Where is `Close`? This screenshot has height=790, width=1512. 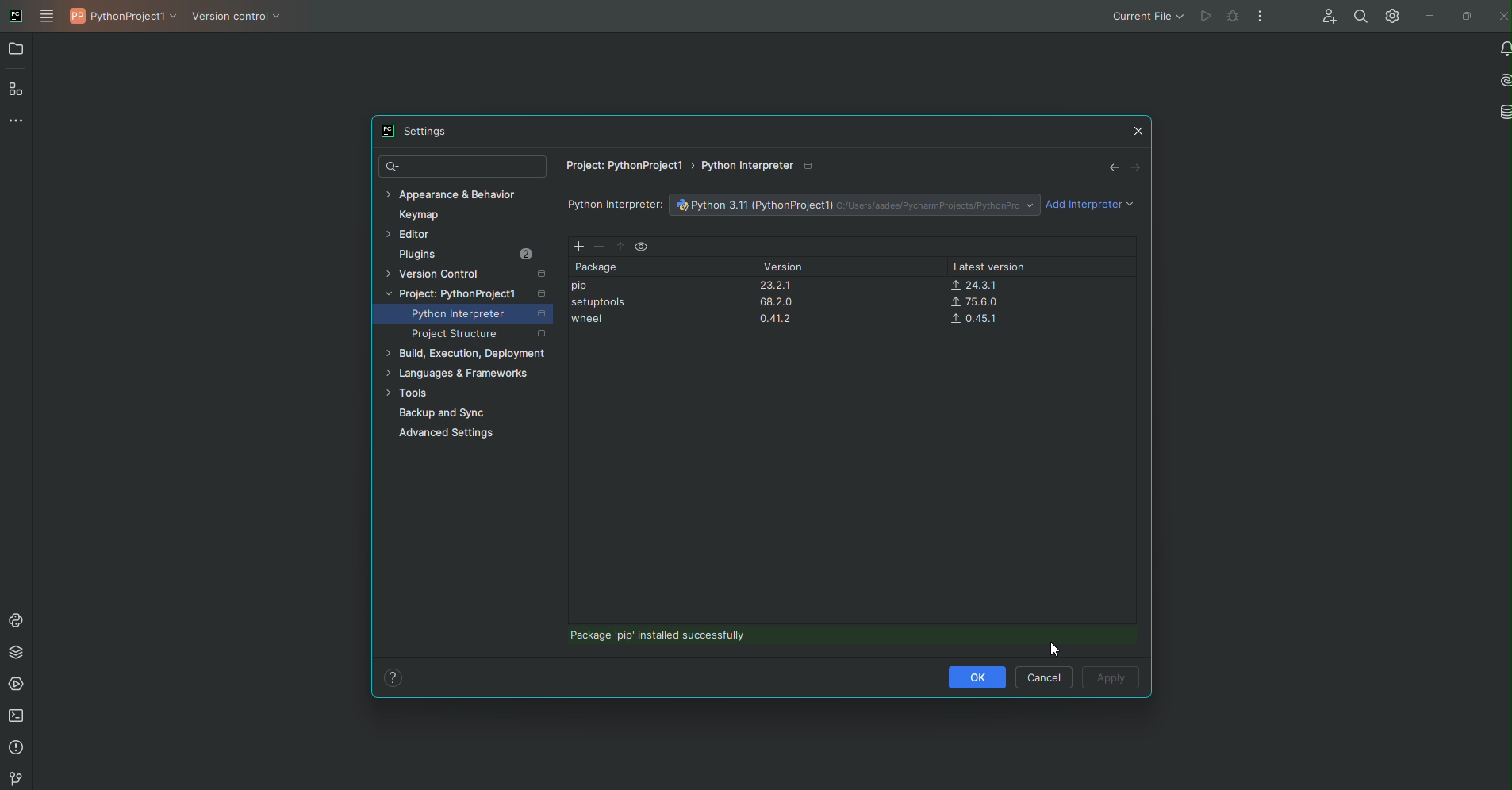 Close is located at coordinates (1136, 131).